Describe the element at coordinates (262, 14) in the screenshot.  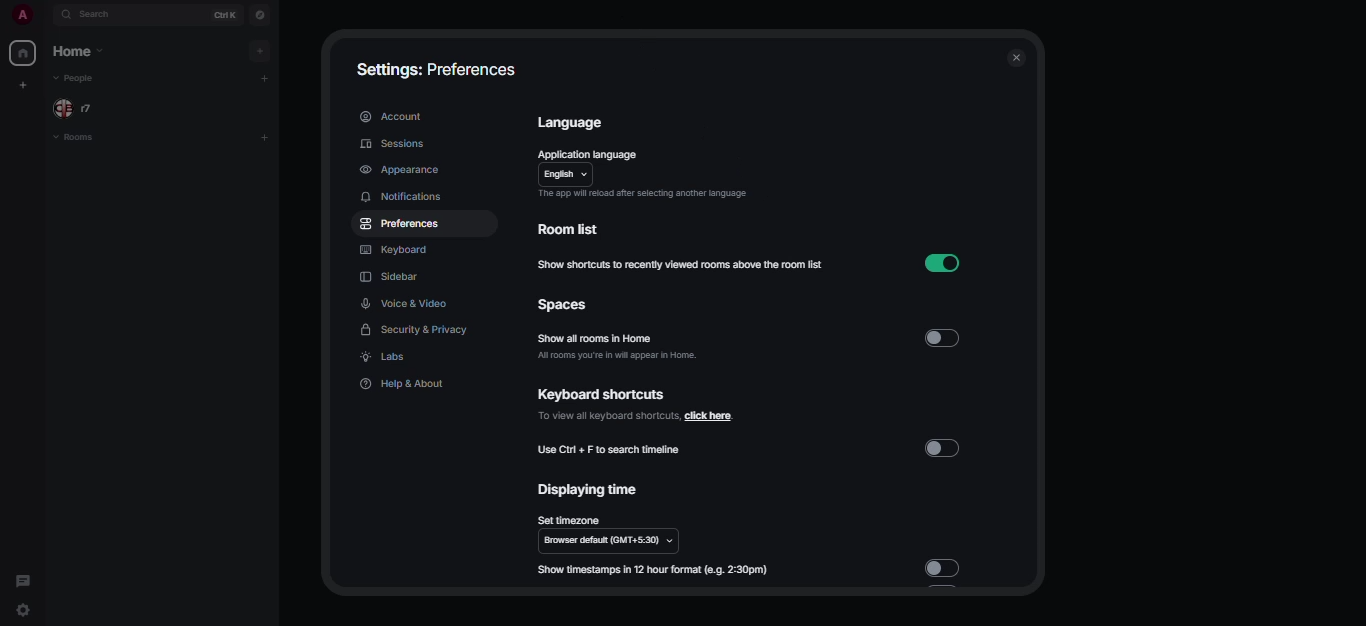
I see `navigator` at that location.